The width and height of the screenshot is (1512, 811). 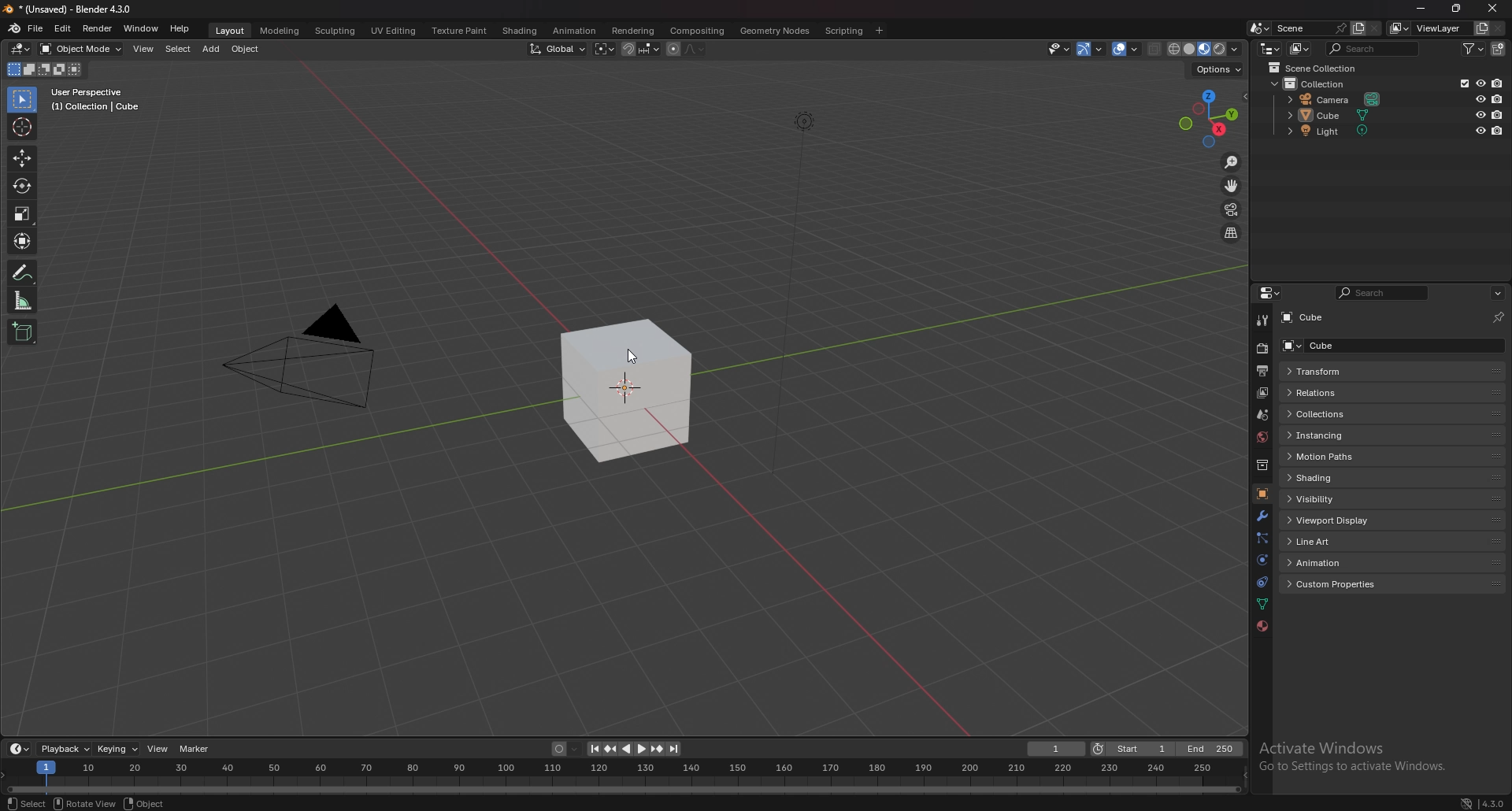 I want to click on play, so click(x=634, y=749).